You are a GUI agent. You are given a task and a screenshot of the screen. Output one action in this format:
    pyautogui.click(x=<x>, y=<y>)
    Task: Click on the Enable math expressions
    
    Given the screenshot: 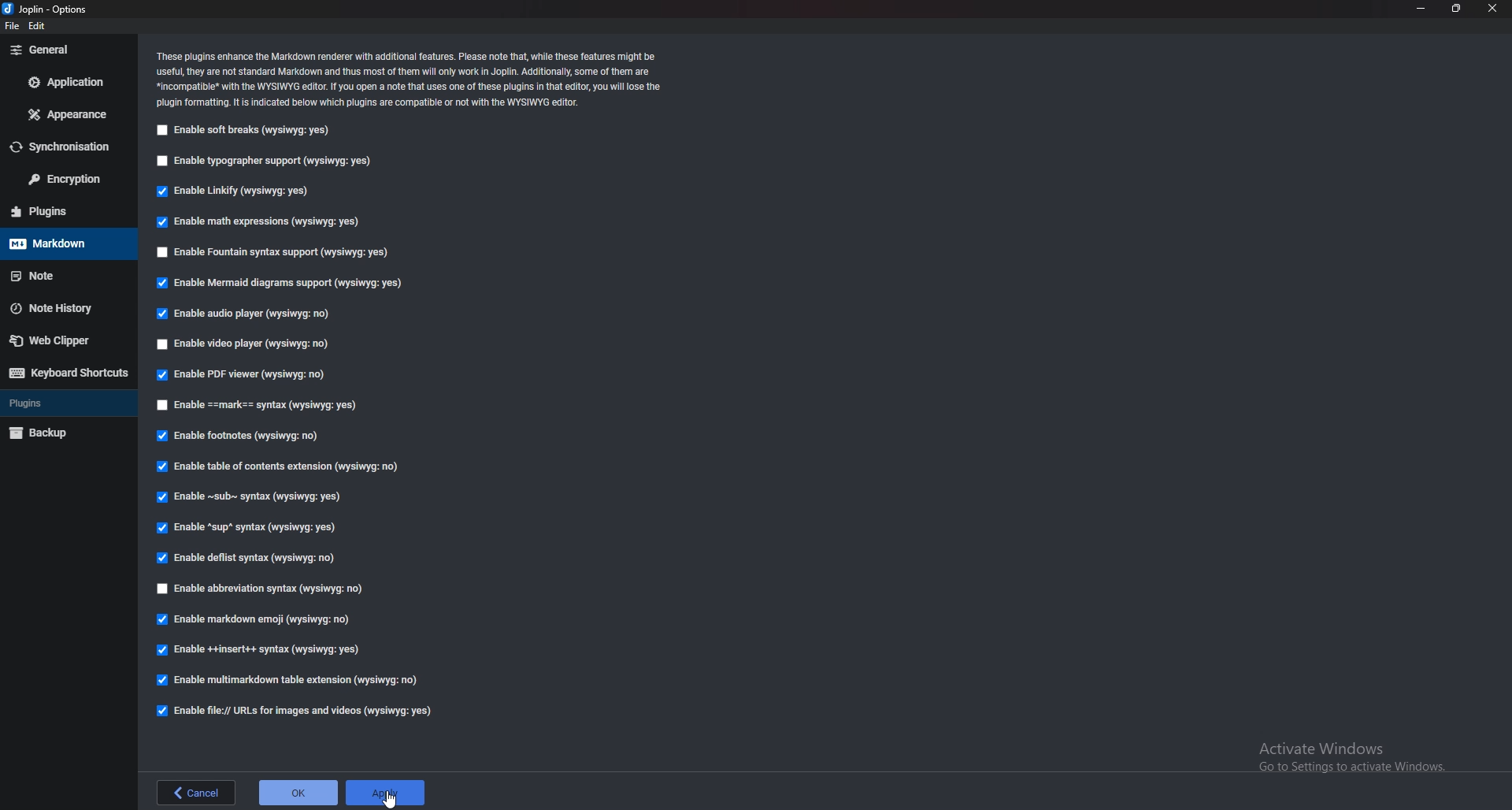 What is the action you would take?
    pyautogui.click(x=265, y=222)
    